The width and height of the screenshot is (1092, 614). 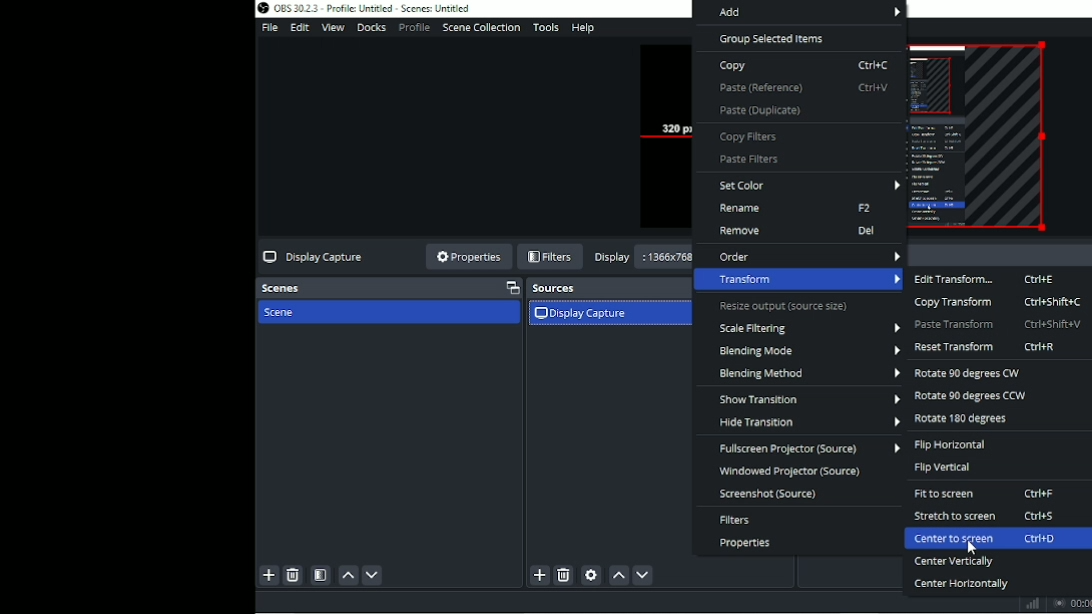 I want to click on Center to screen, so click(x=987, y=538).